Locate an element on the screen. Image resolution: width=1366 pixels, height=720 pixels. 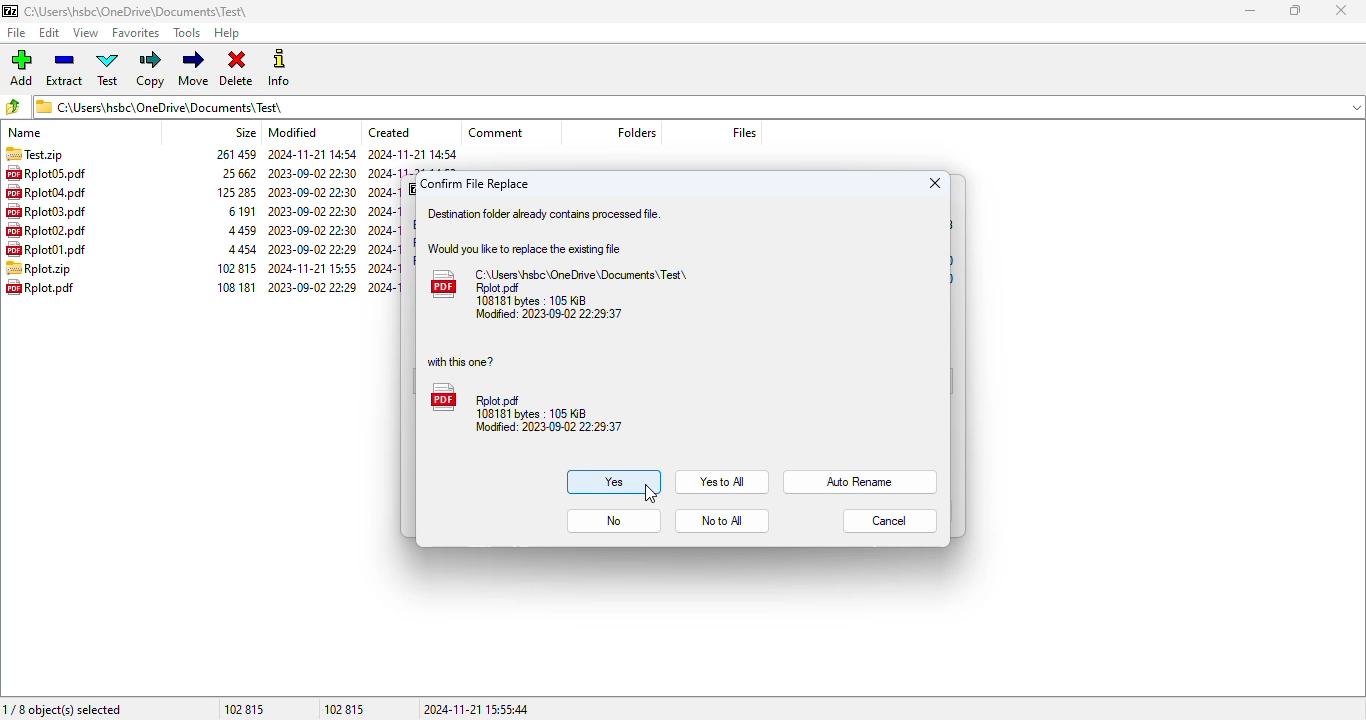
Test.zip is located at coordinates (34, 154).